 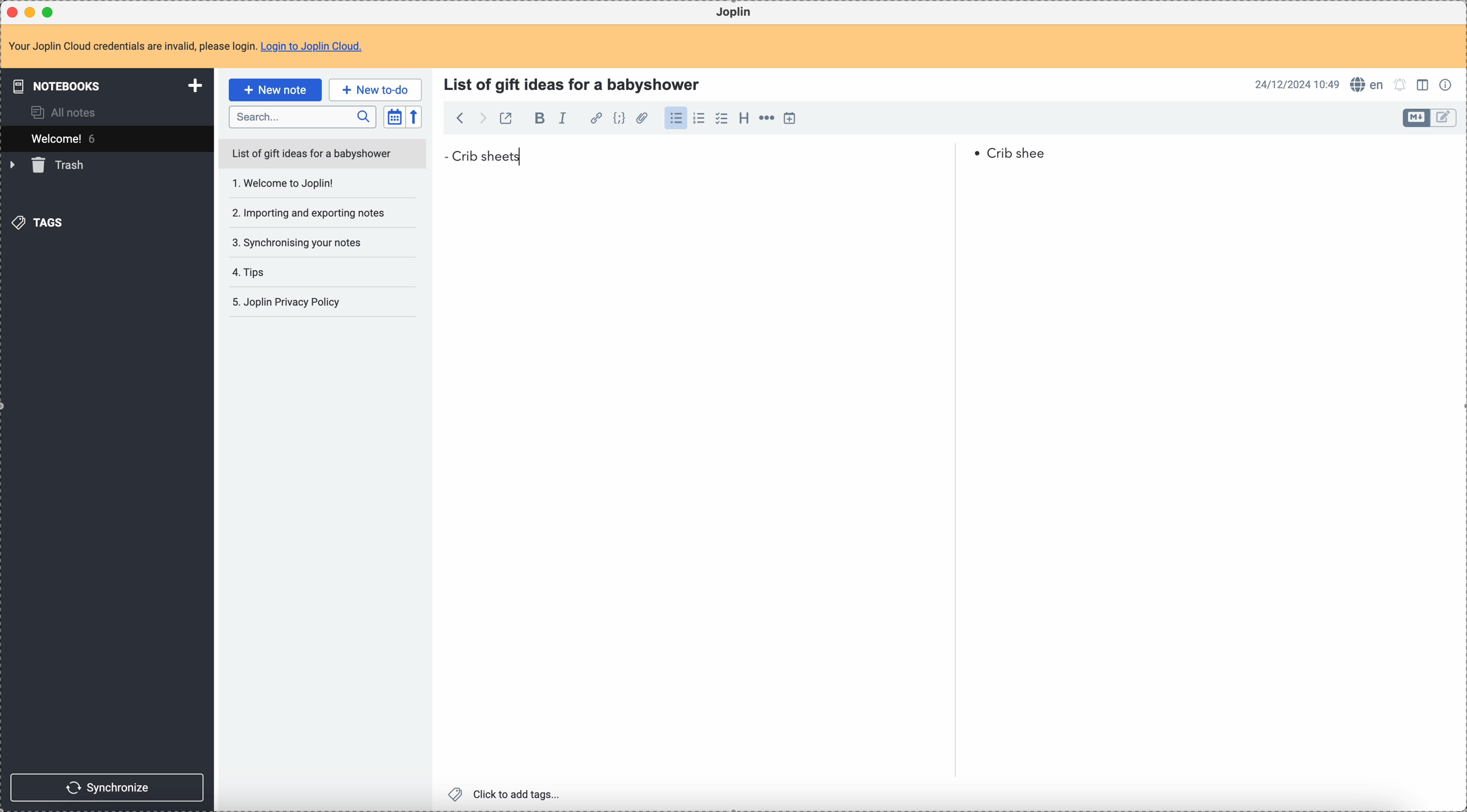 I want to click on toggle external editing, so click(x=505, y=118).